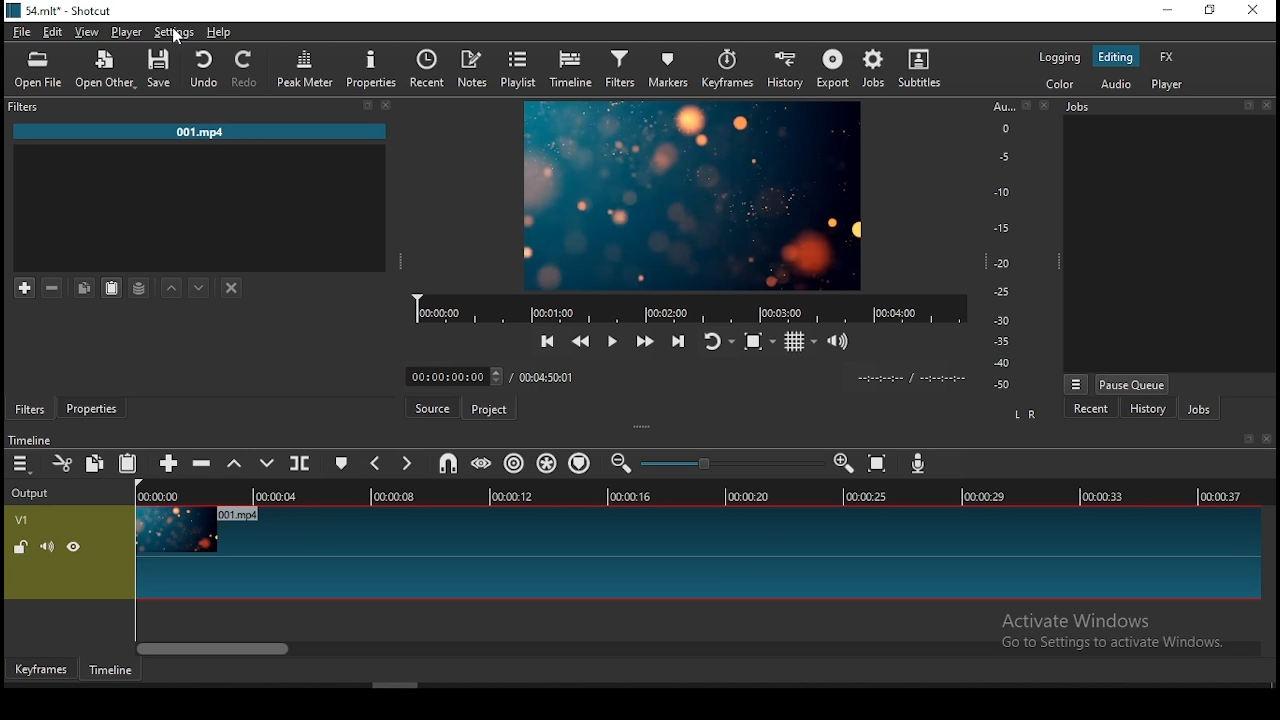  Describe the element at coordinates (520, 68) in the screenshot. I see `playlist` at that location.